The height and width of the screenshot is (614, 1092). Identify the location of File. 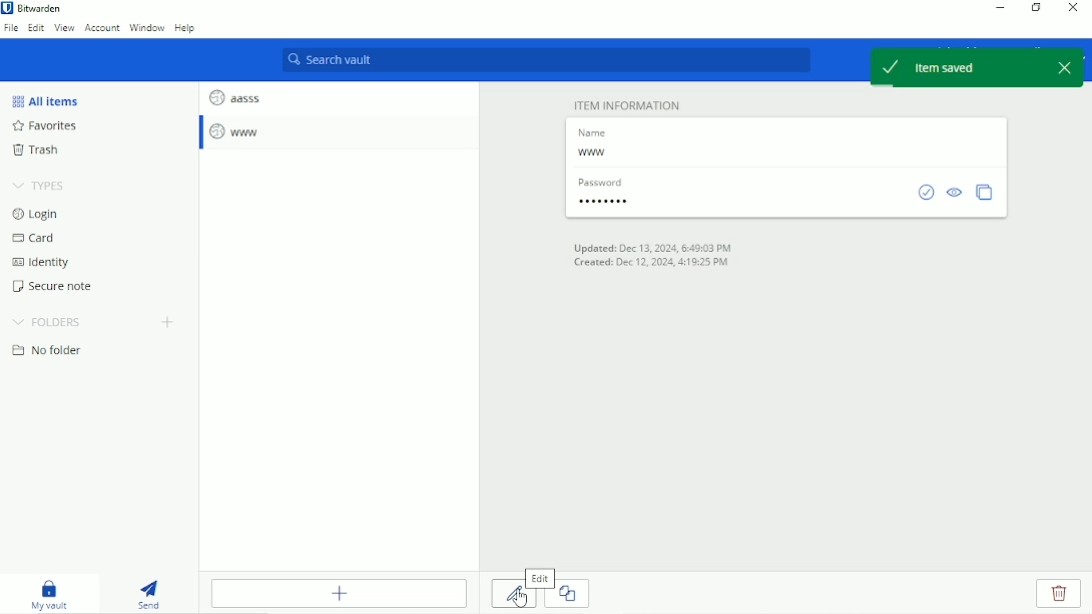
(11, 28).